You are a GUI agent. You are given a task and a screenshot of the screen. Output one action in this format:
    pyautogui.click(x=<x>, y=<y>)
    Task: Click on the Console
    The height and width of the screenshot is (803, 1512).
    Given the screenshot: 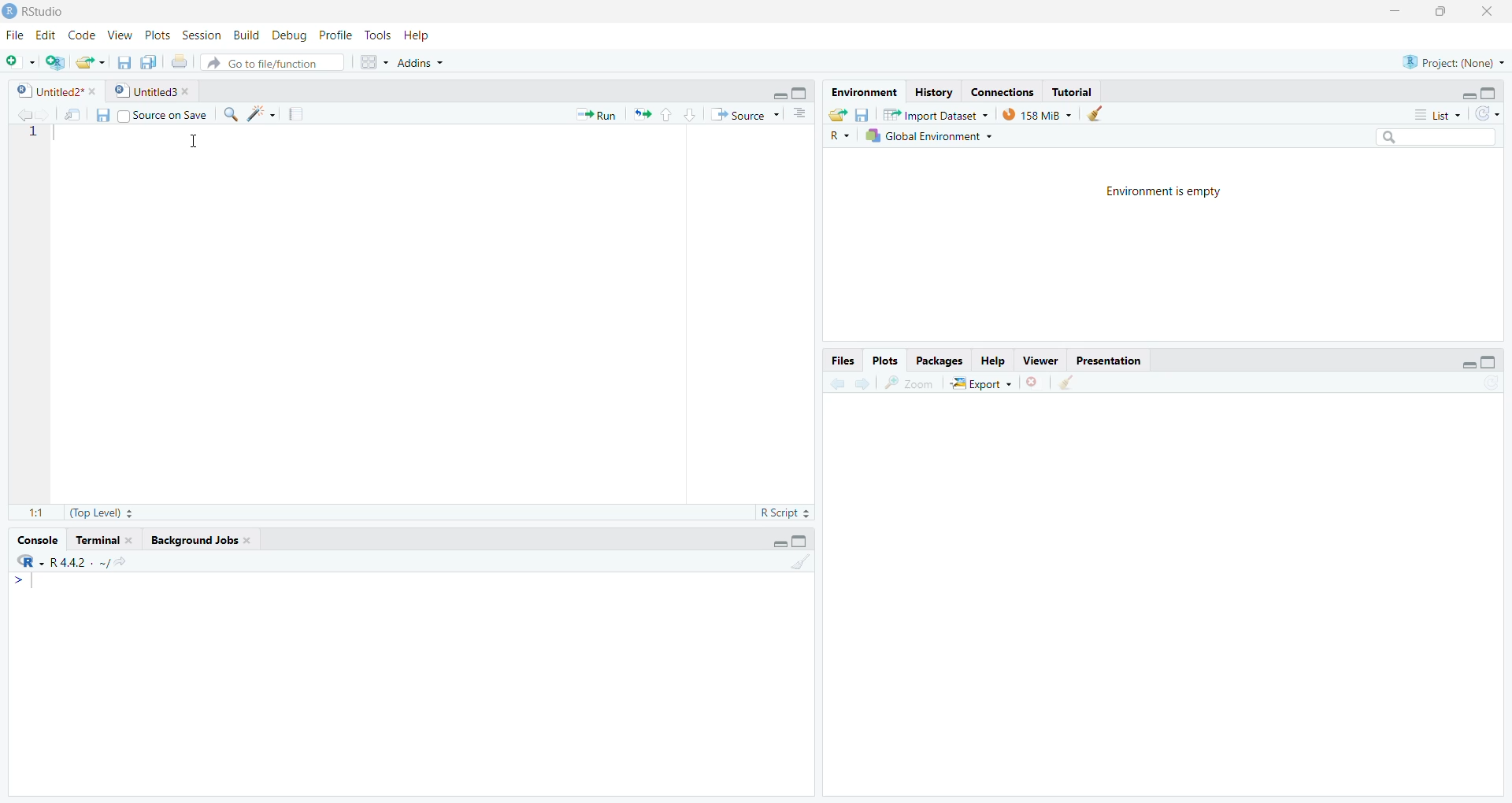 What is the action you would take?
    pyautogui.click(x=37, y=538)
    